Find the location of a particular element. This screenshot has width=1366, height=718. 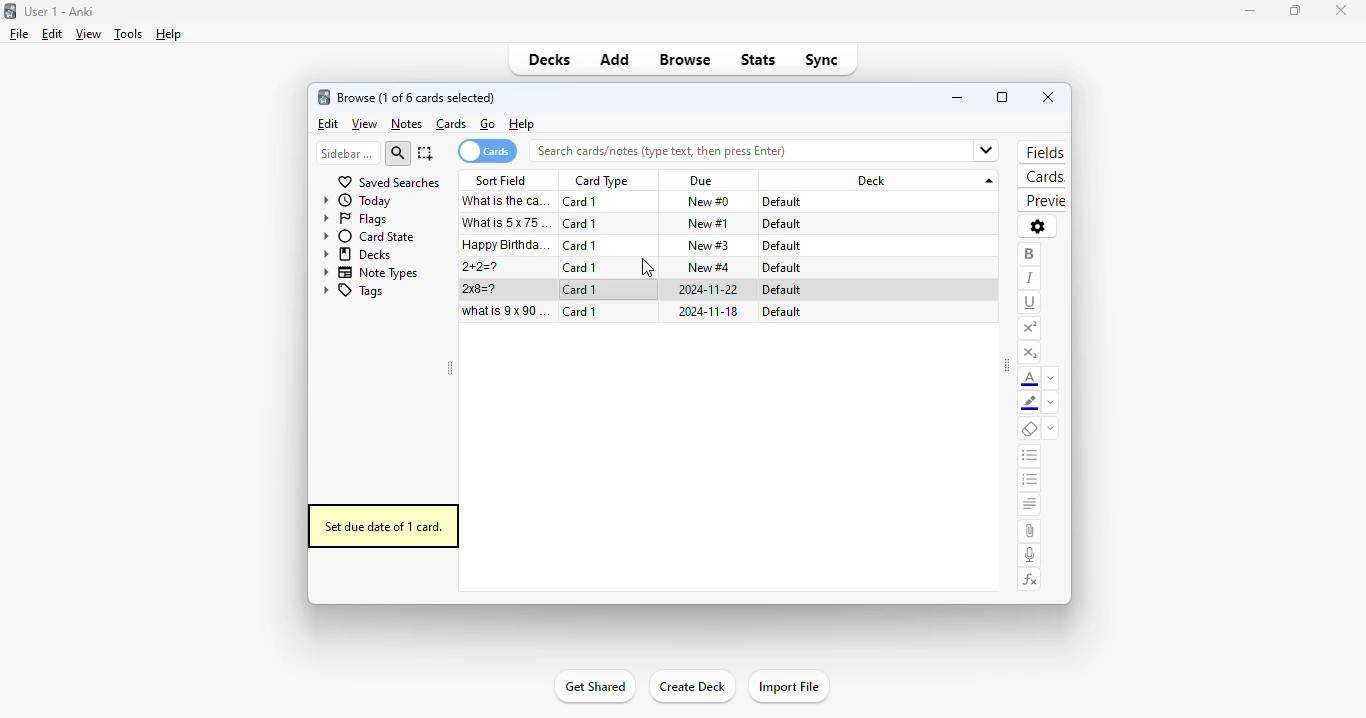

fields is located at coordinates (1045, 152).